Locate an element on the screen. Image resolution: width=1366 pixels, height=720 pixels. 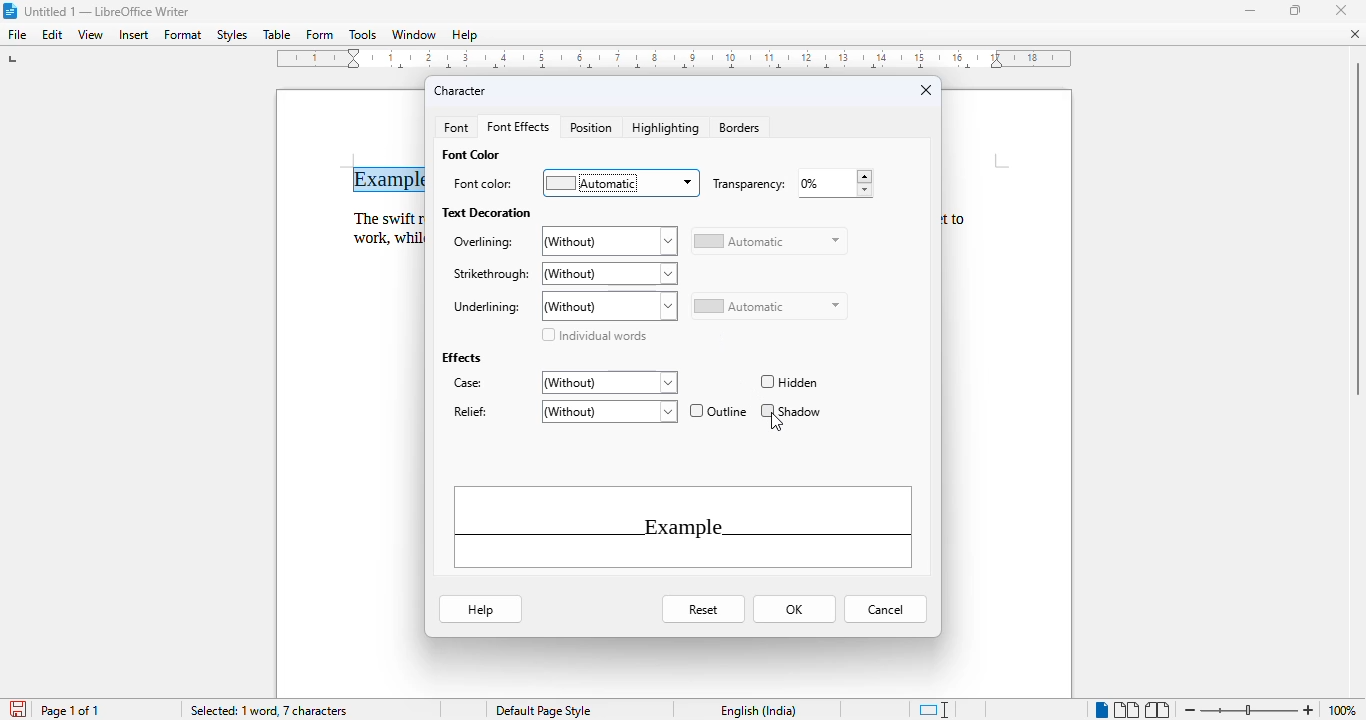
maximize is located at coordinates (1295, 9).